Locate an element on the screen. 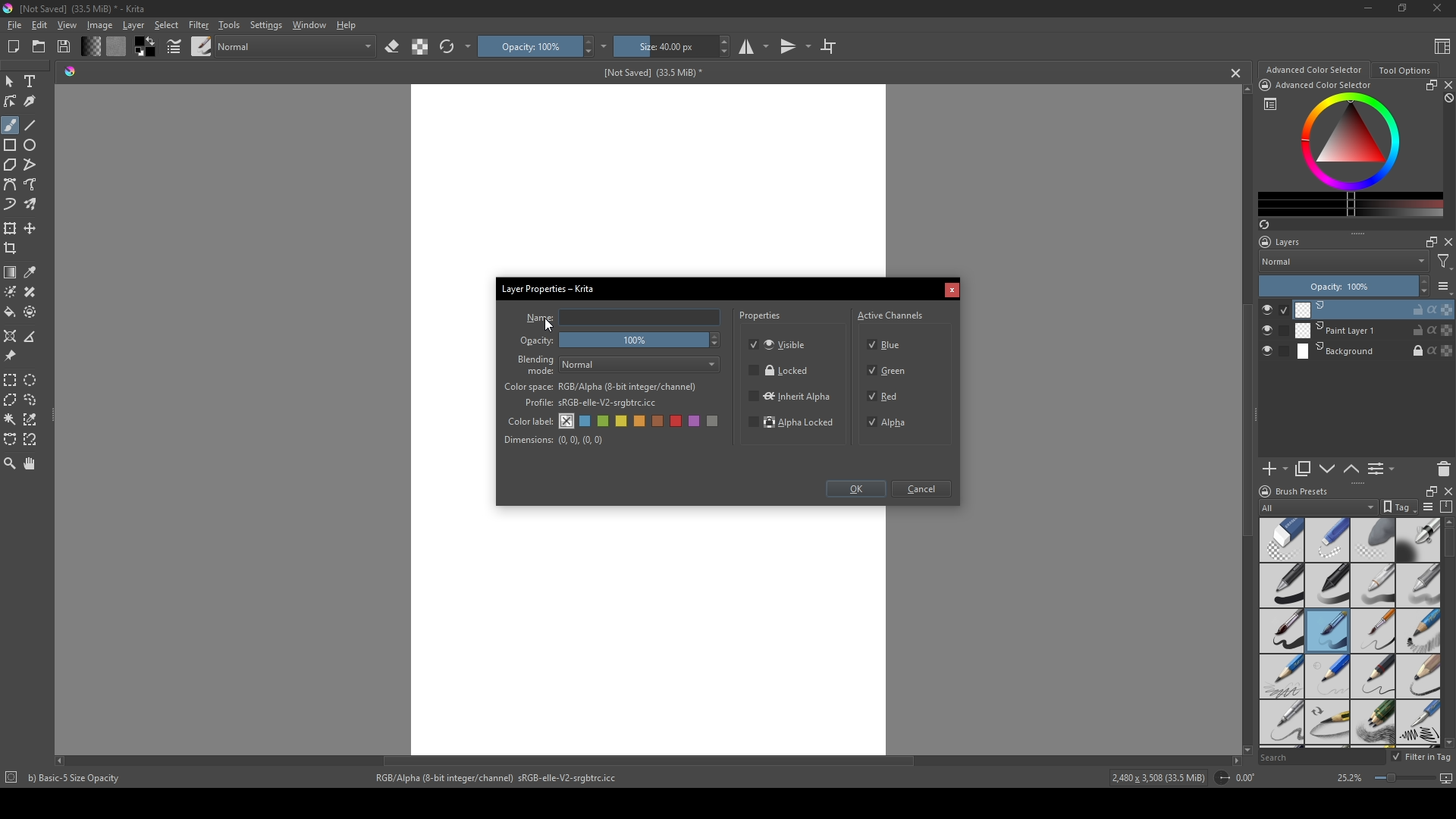 Image resolution: width=1456 pixels, height=819 pixels. copy is located at coordinates (1304, 469).